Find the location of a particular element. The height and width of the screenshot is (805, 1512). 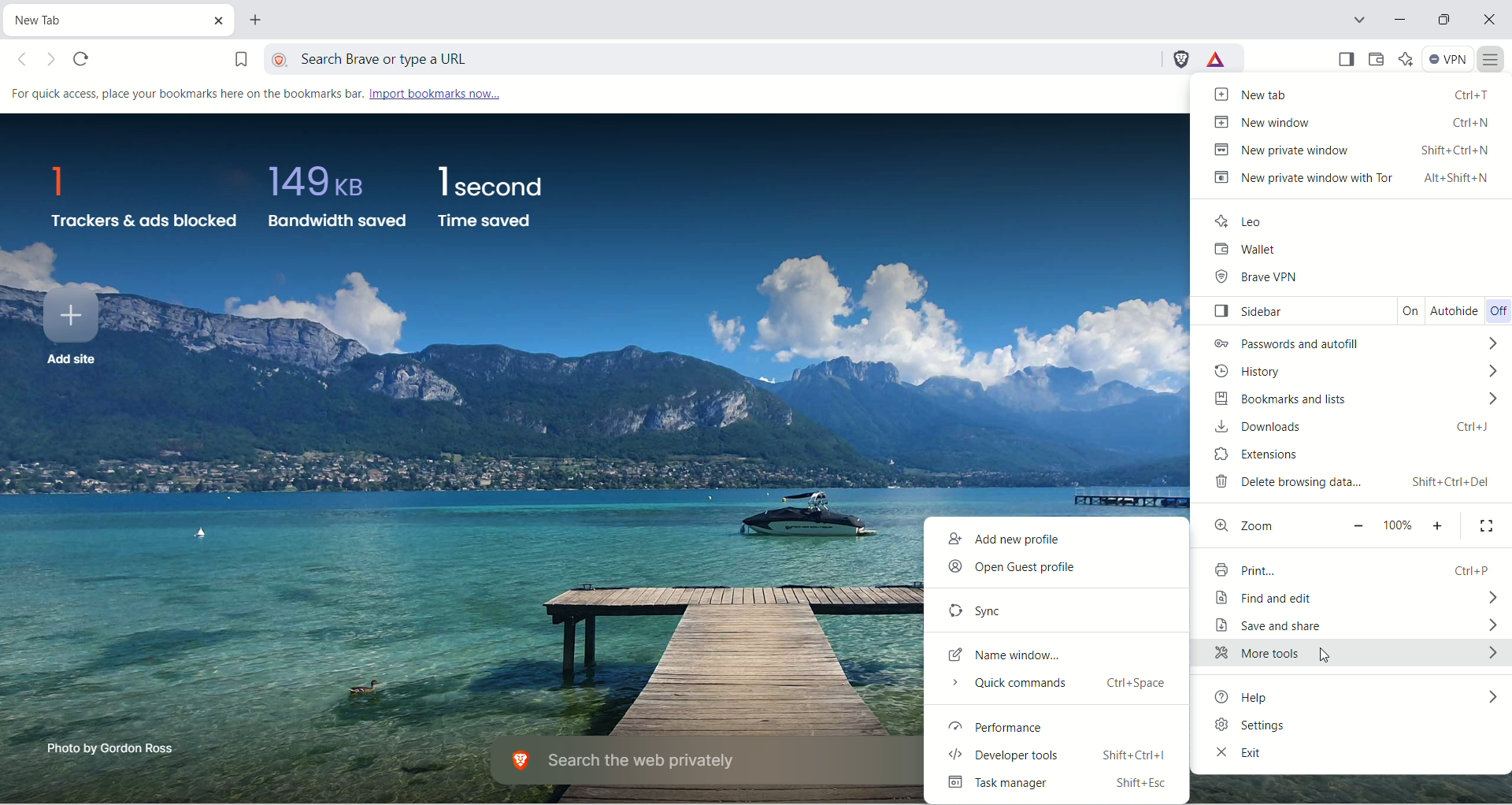

task manager is located at coordinates (1064, 788).